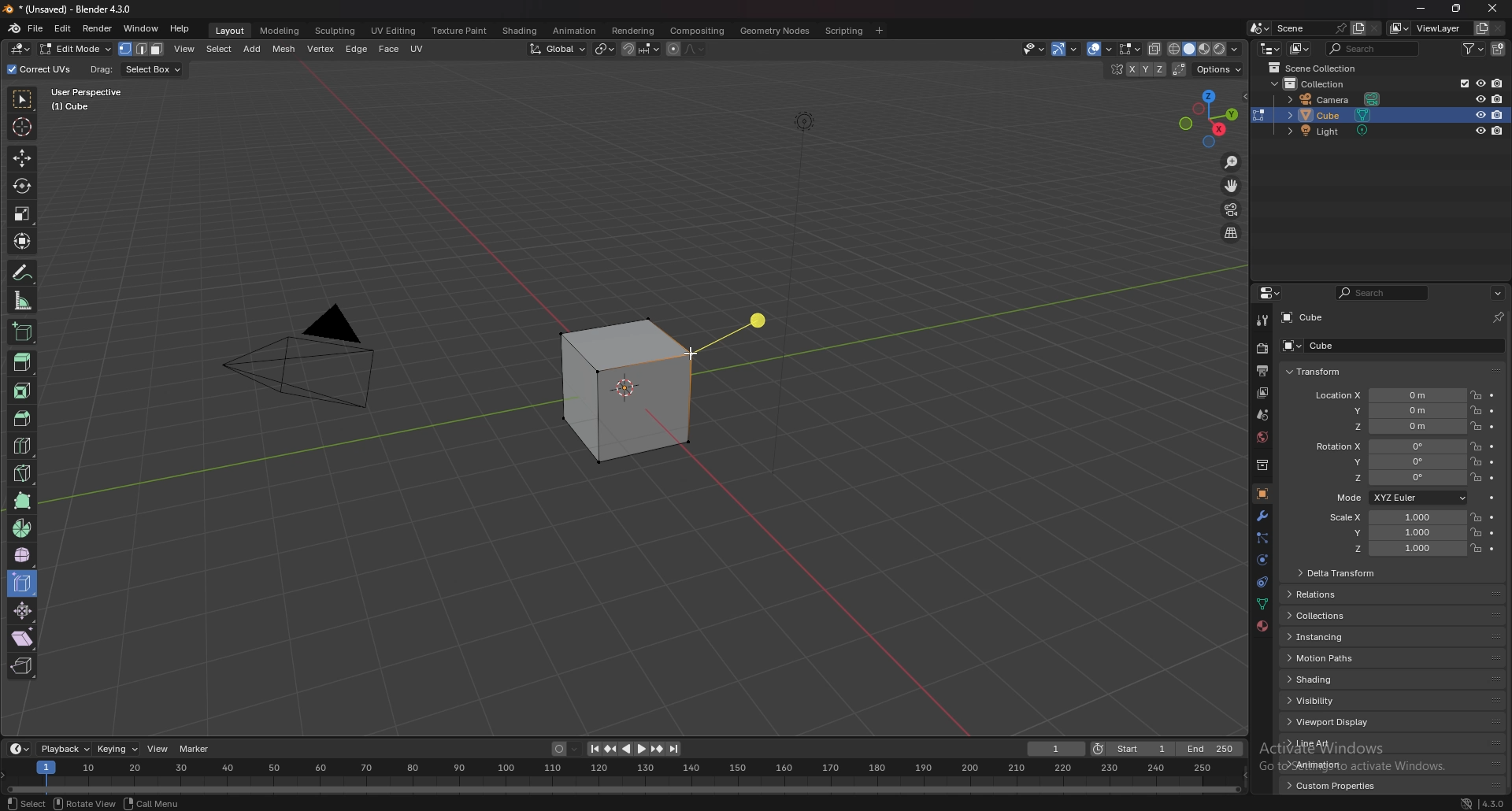 Image resolution: width=1512 pixels, height=811 pixels. Describe the element at coordinates (279, 31) in the screenshot. I see `modeling` at that location.